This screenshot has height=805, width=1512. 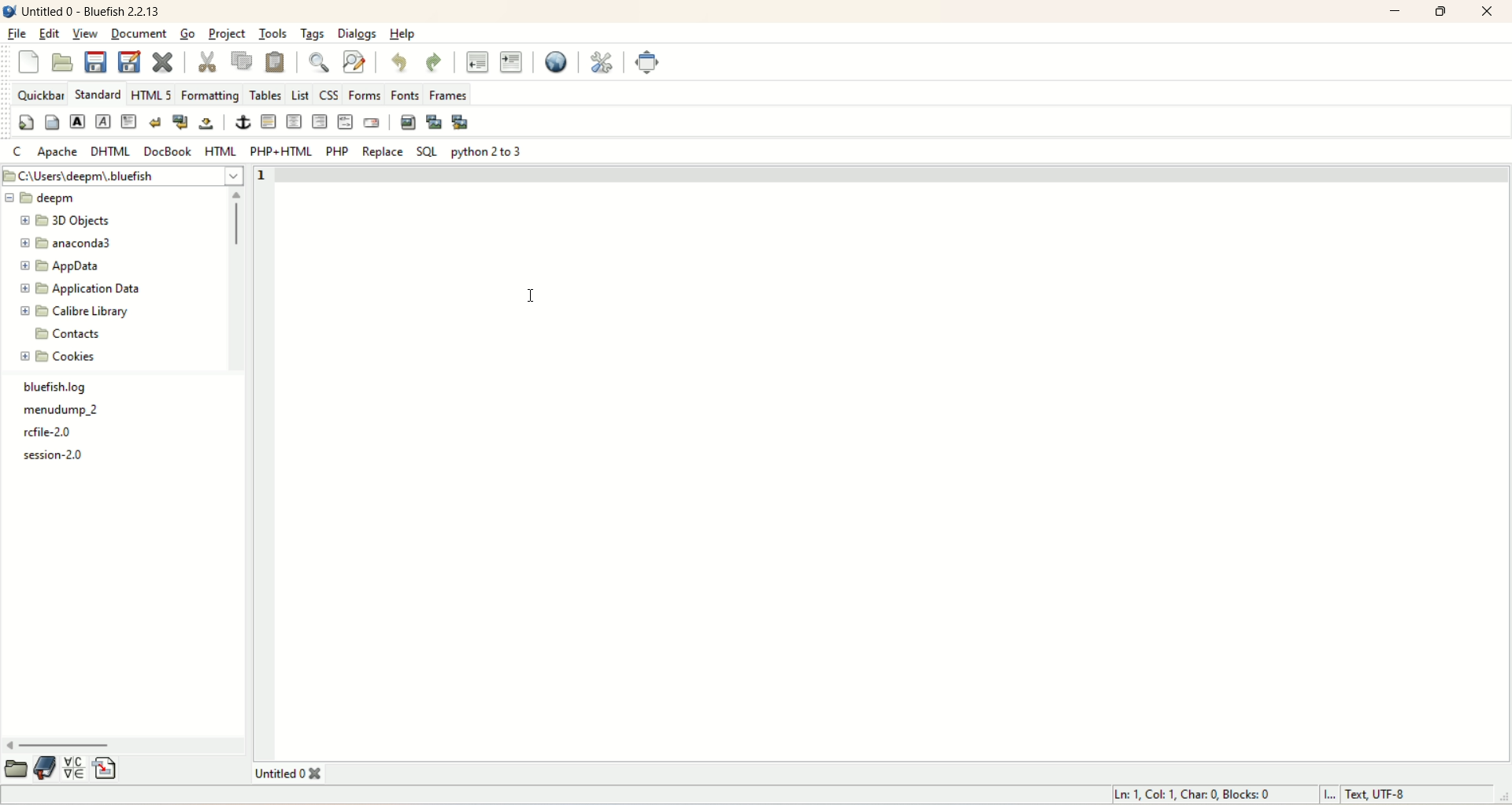 I want to click on CSS, so click(x=330, y=95).